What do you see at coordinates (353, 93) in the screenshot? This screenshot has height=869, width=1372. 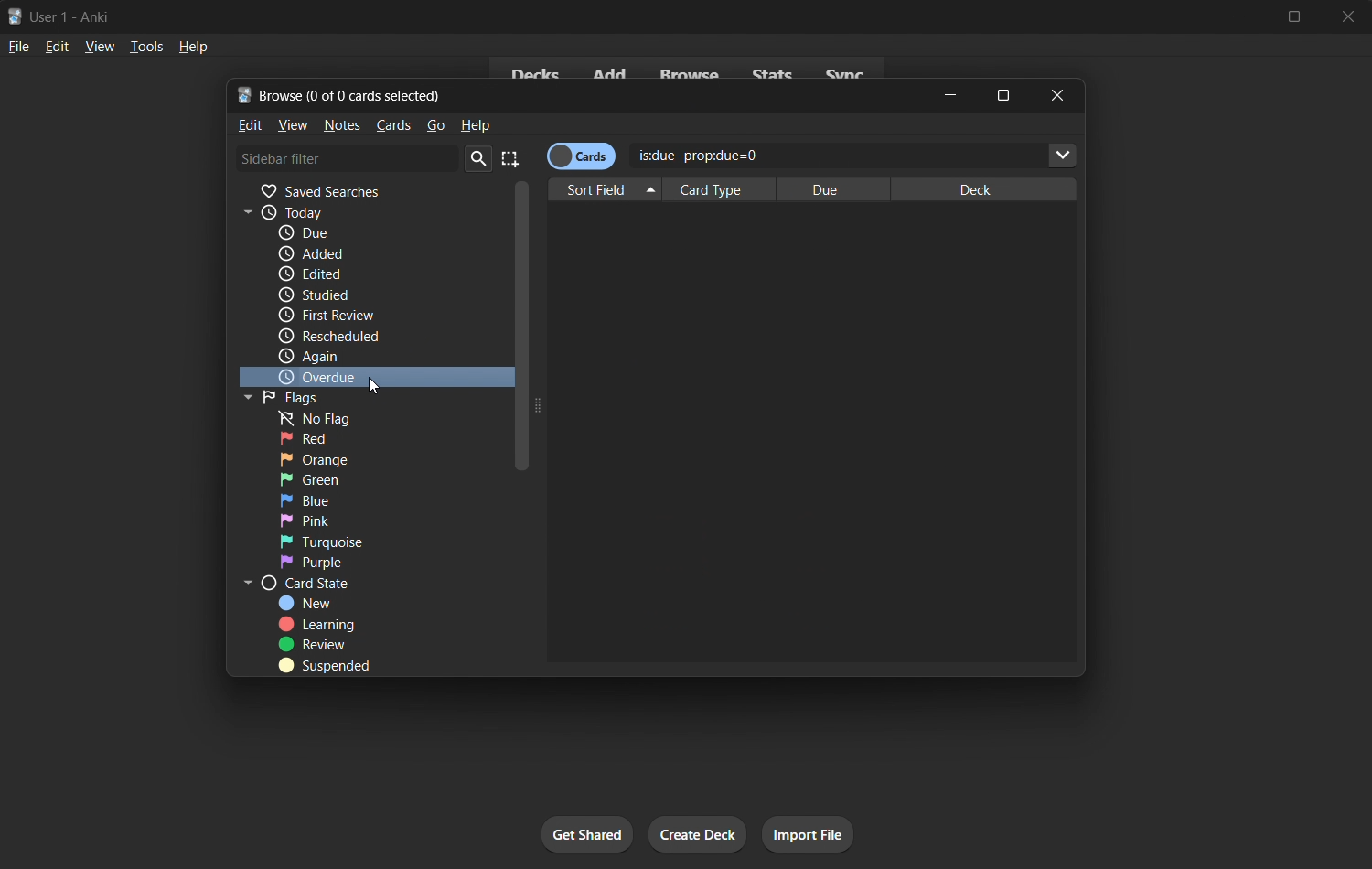 I see `Browse (1 of 32 cards selected)` at bounding box center [353, 93].